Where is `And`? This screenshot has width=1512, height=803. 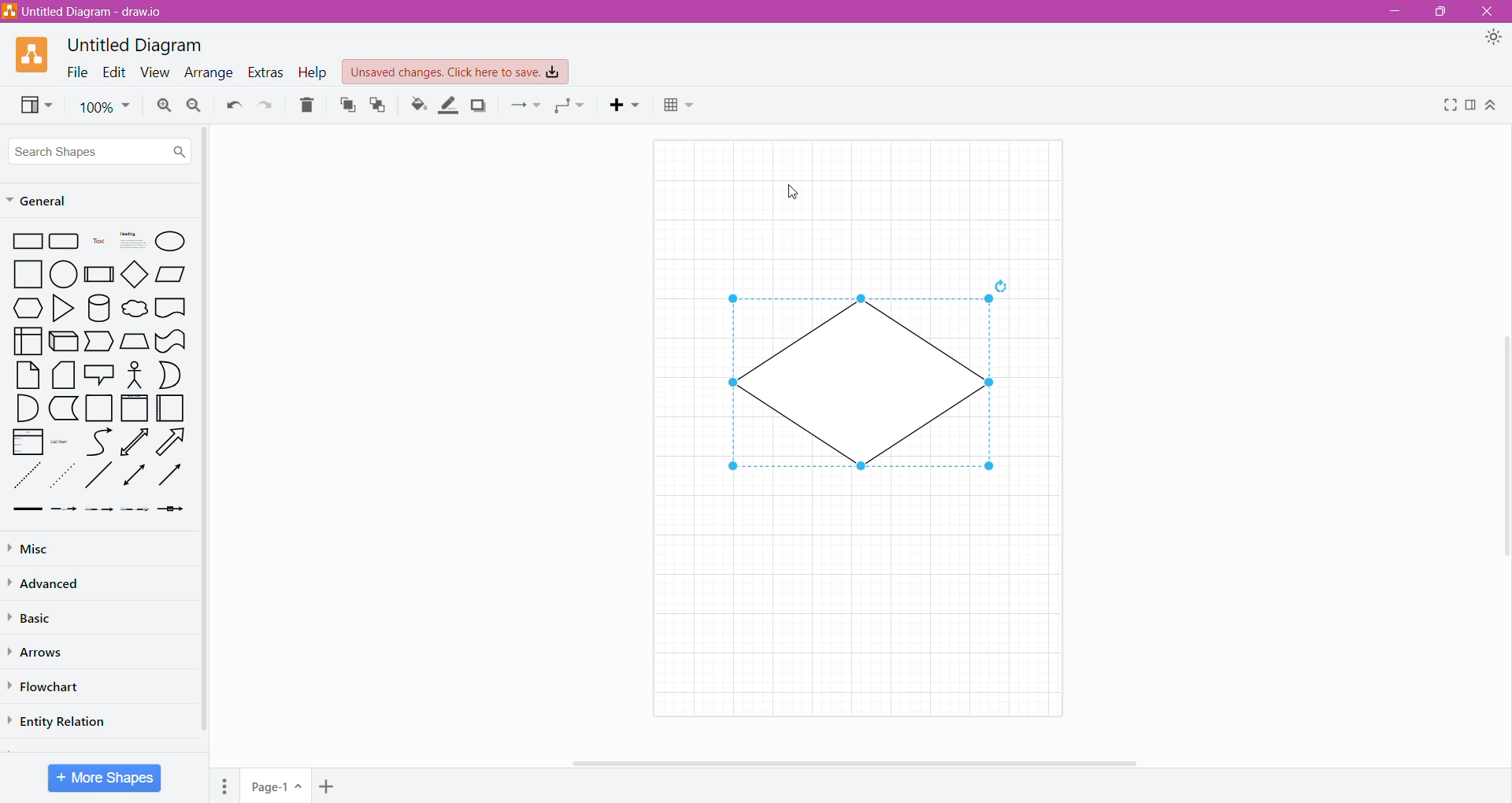 And is located at coordinates (27, 409).